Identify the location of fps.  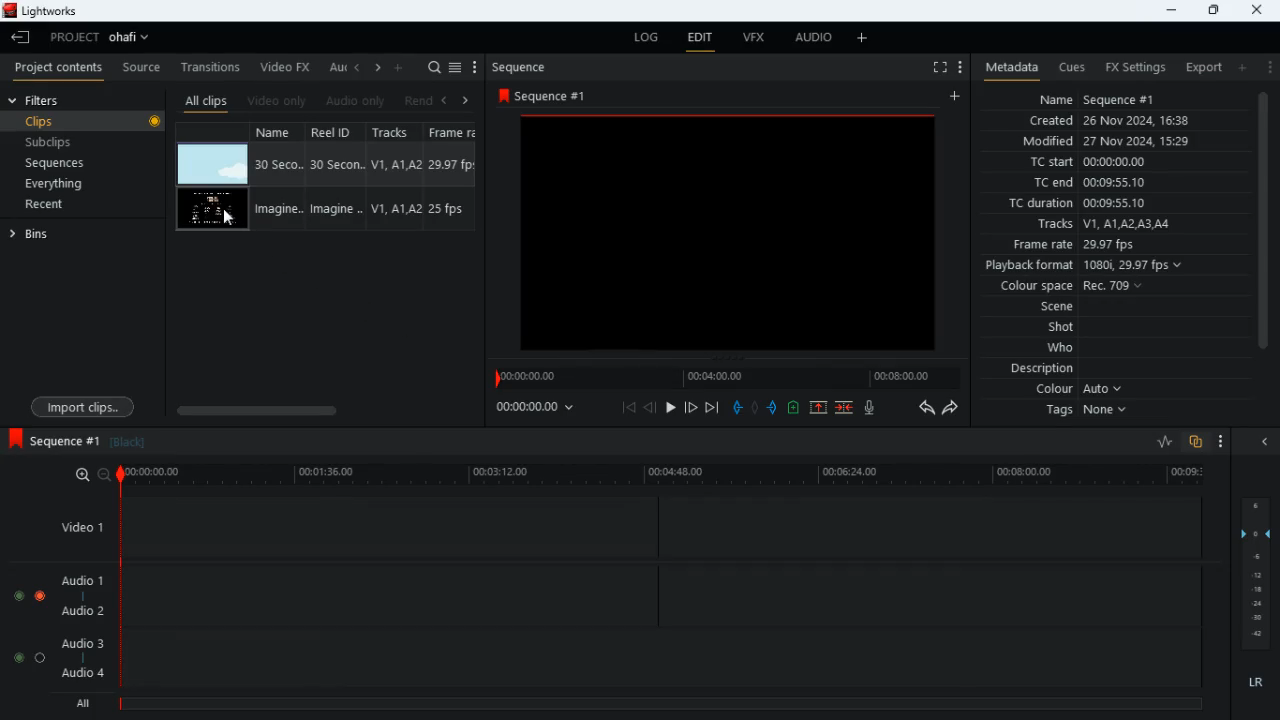
(454, 132).